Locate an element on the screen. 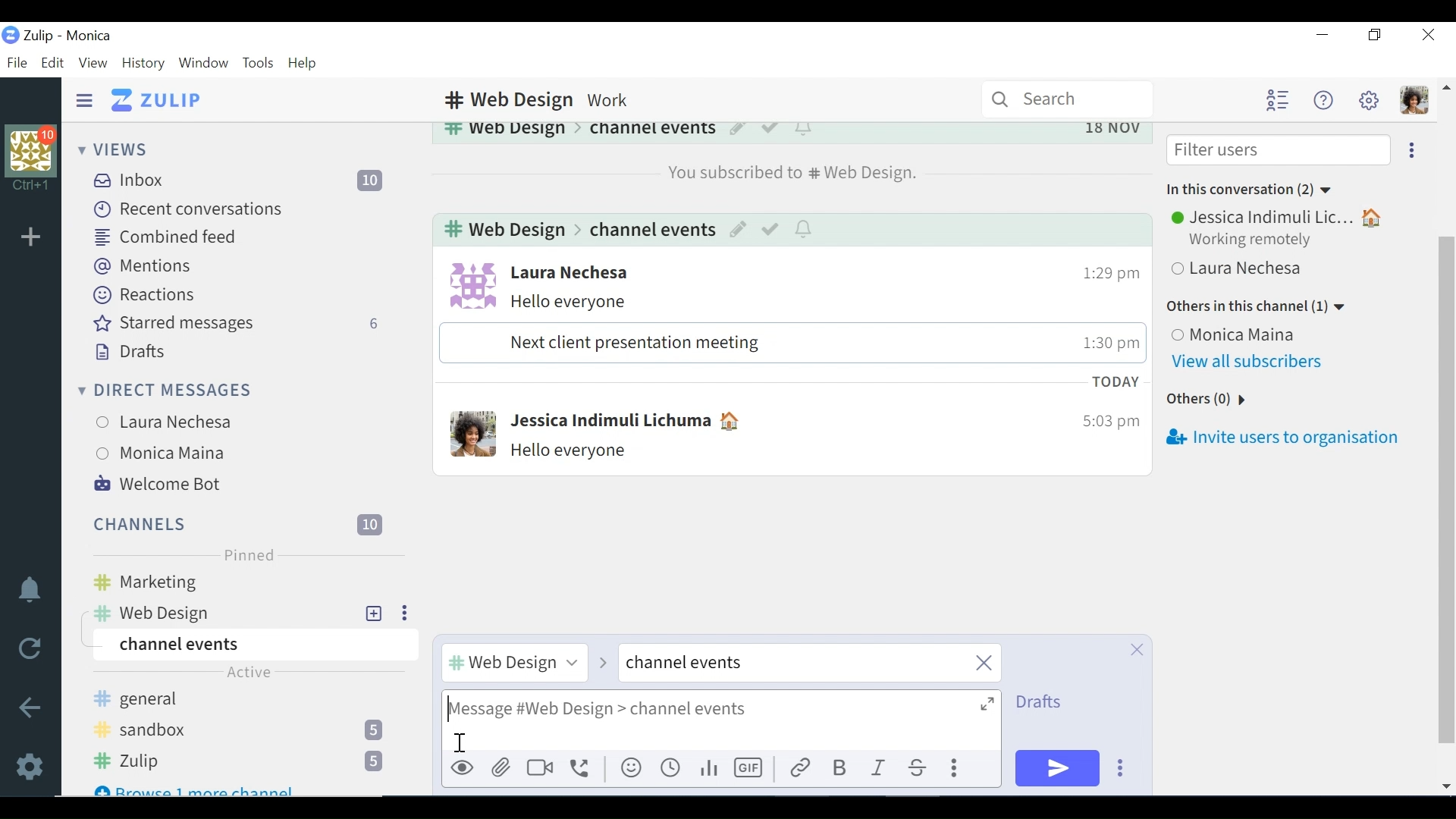 This screenshot has width=1456, height=819. Mentions is located at coordinates (143, 266).